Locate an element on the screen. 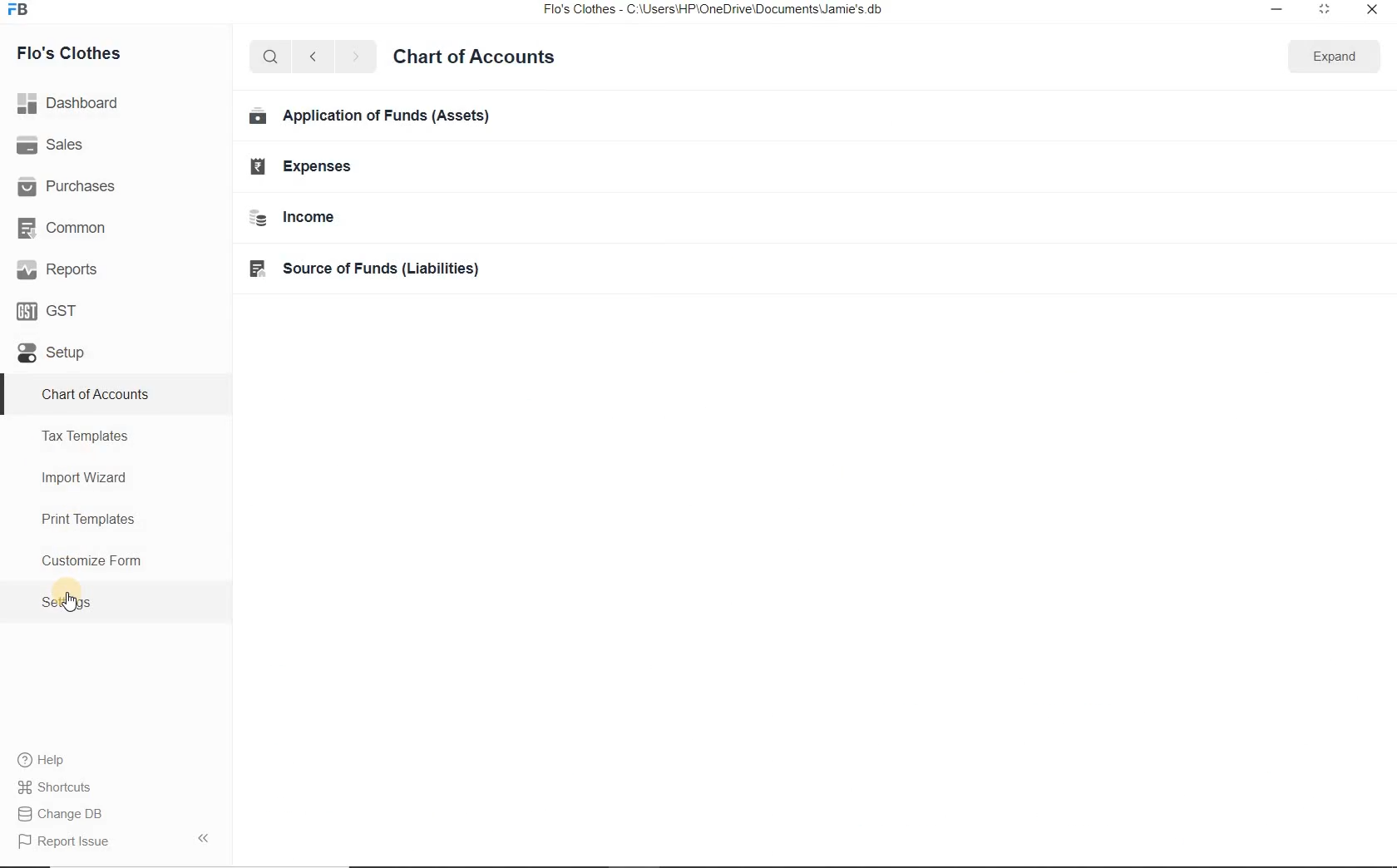 This screenshot has height=868, width=1397. Search is located at coordinates (271, 56).